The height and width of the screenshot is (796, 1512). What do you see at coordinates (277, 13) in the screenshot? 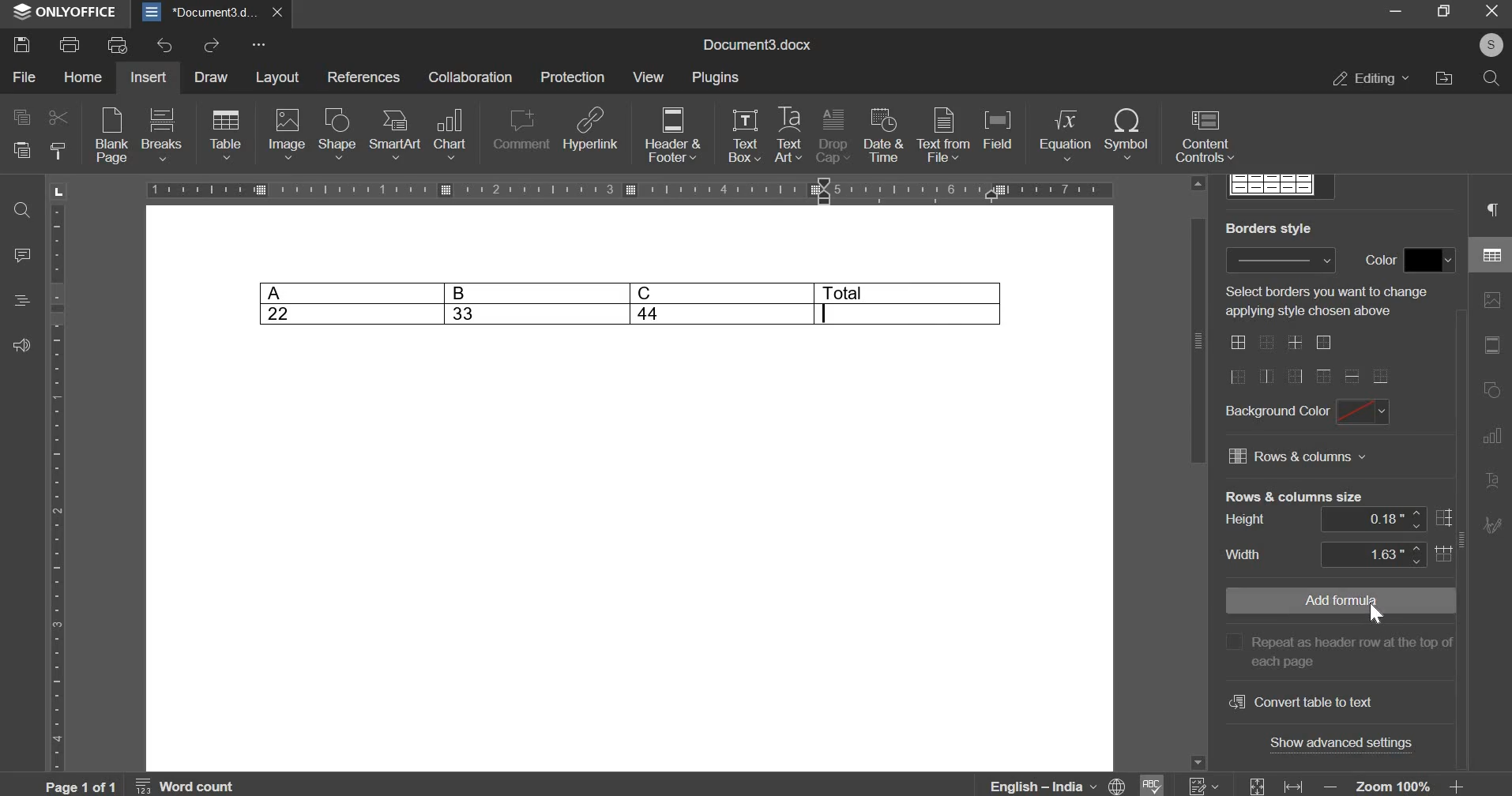
I see `close` at bounding box center [277, 13].